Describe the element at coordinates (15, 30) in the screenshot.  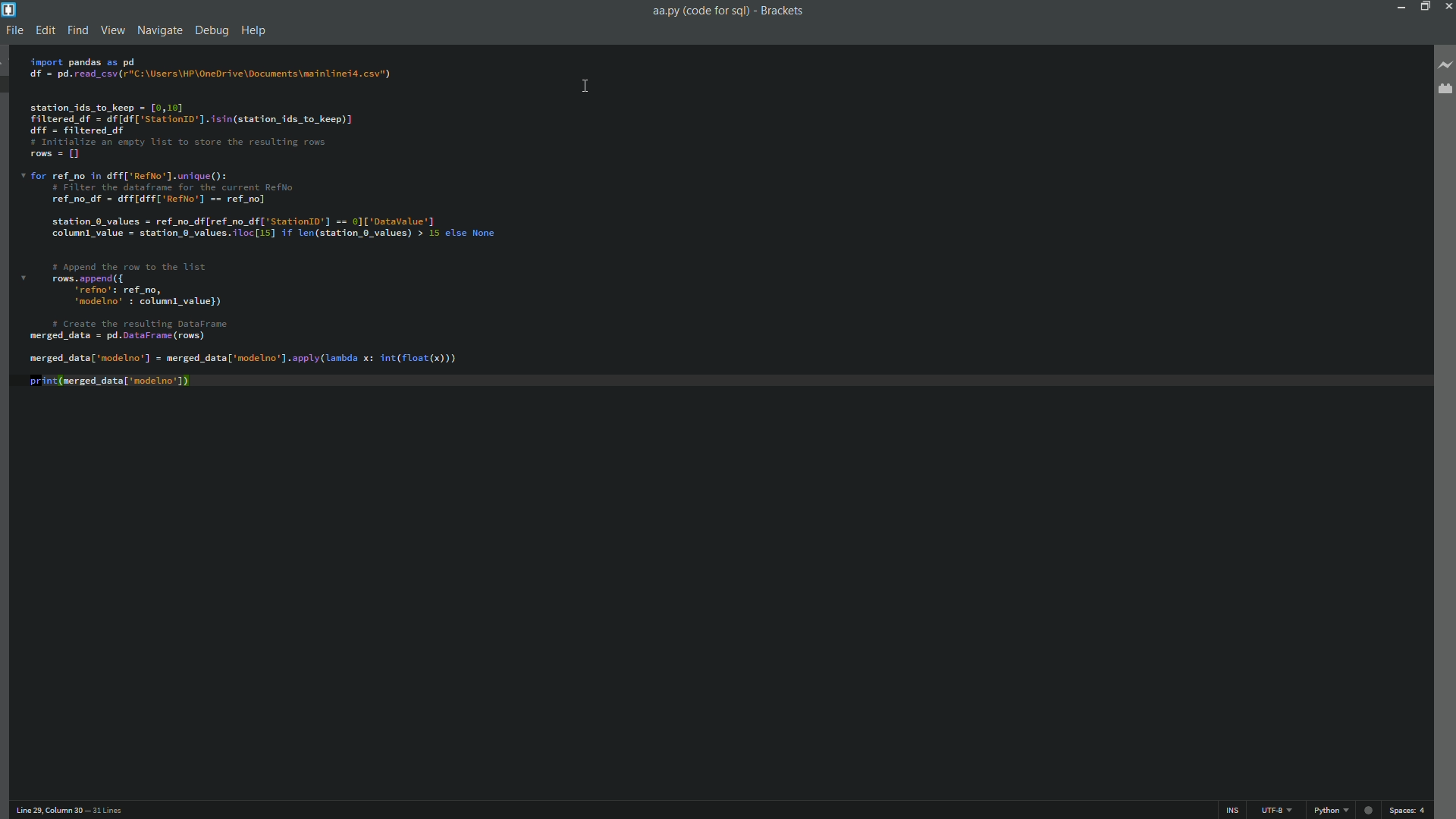
I see `file menu` at that location.